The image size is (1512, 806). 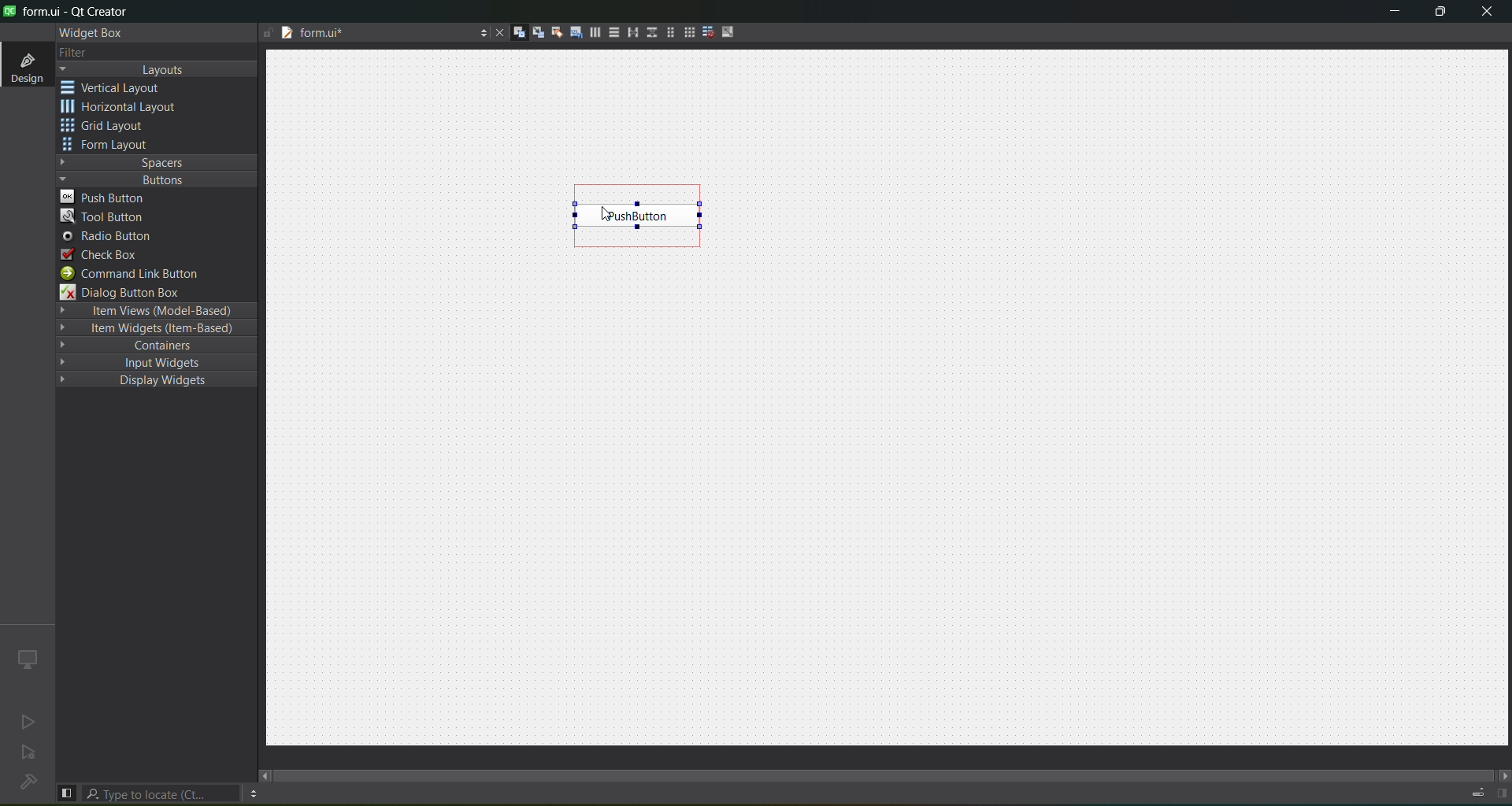 I want to click on layout, so click(x=160, y=70).